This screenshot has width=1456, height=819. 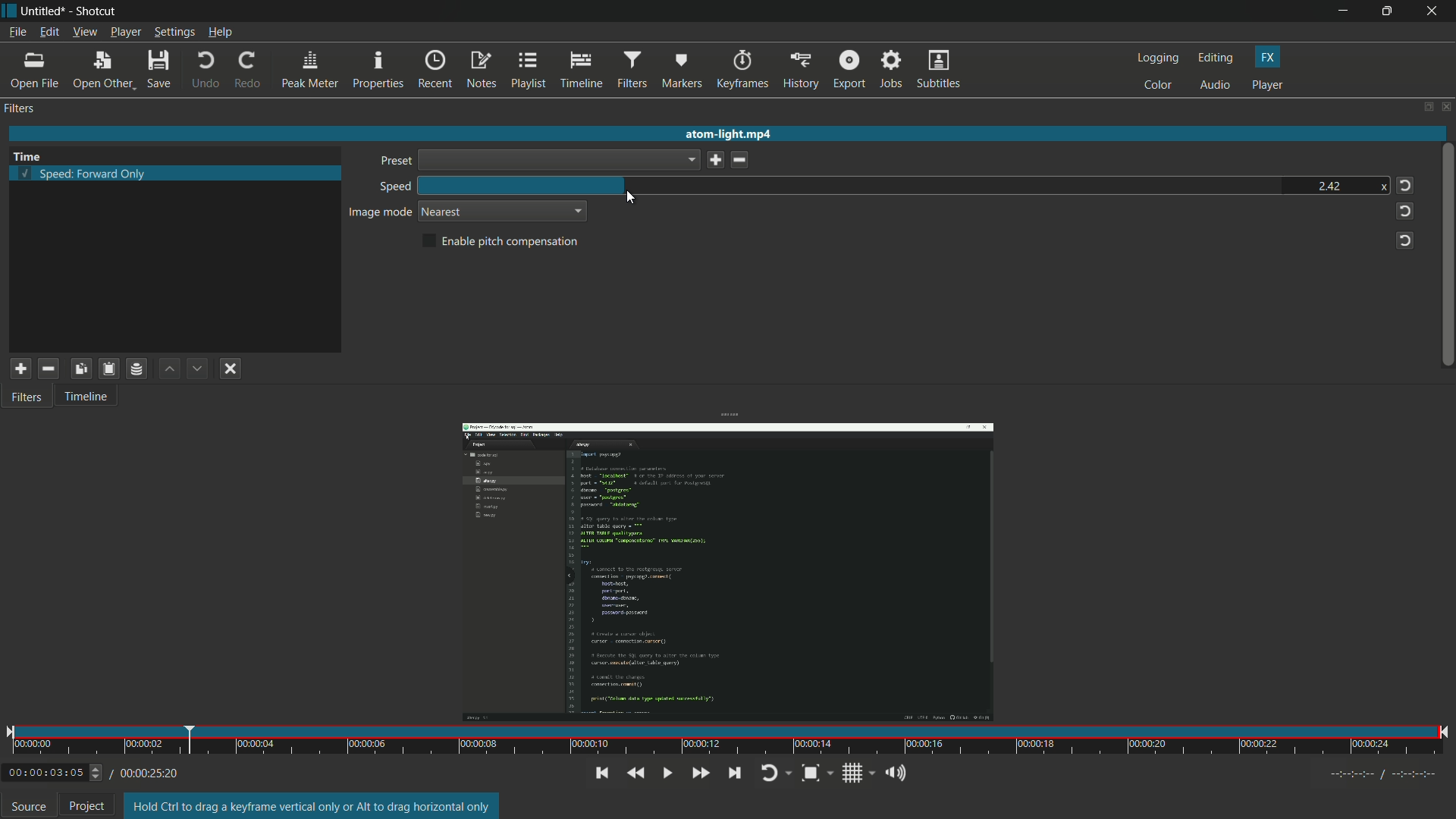 I want to click on remove selected filter, so click(x=48, y=369).